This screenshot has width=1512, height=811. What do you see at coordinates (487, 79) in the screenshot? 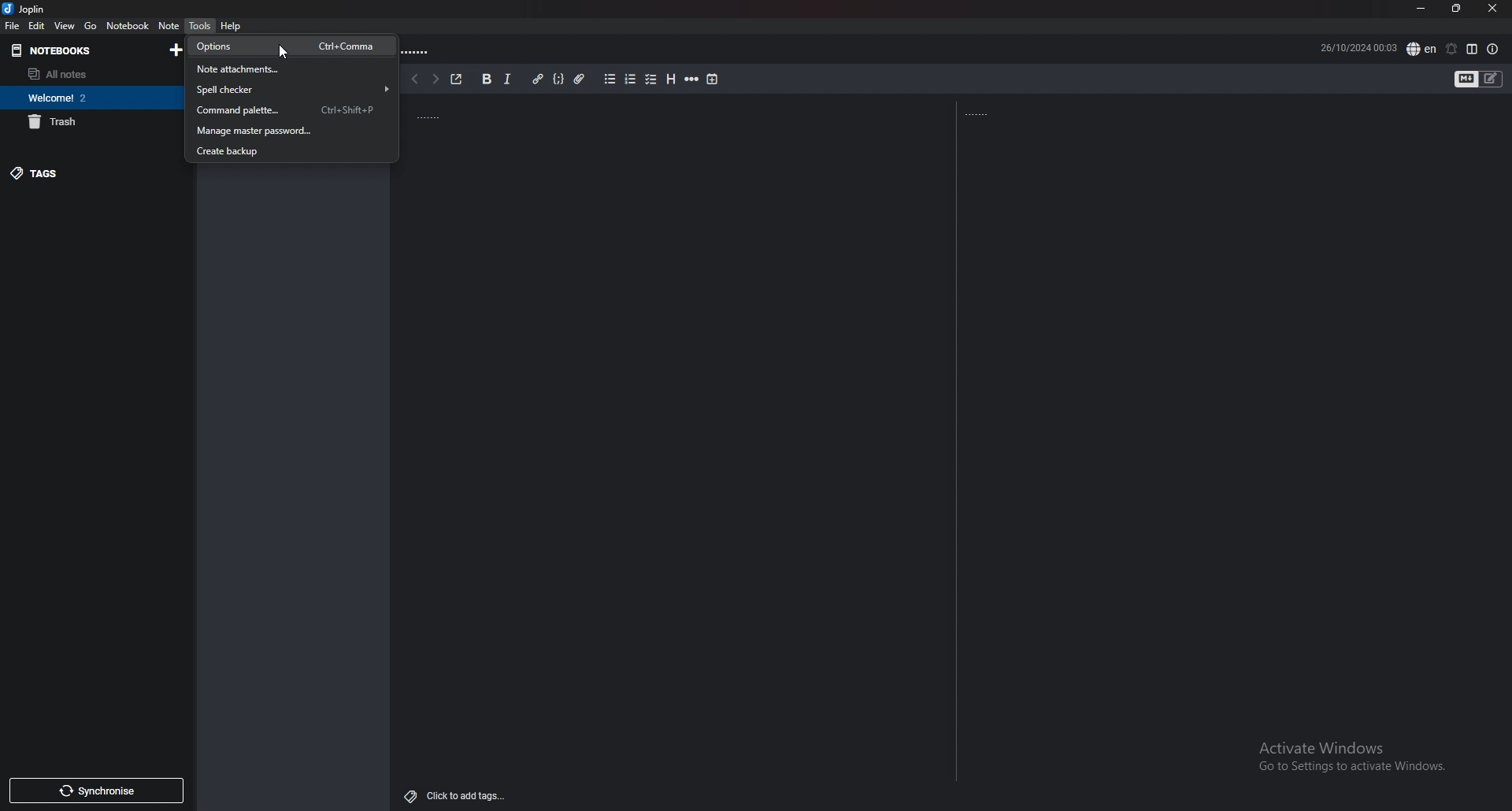
I see `bold` at bounding box center [487, 79].